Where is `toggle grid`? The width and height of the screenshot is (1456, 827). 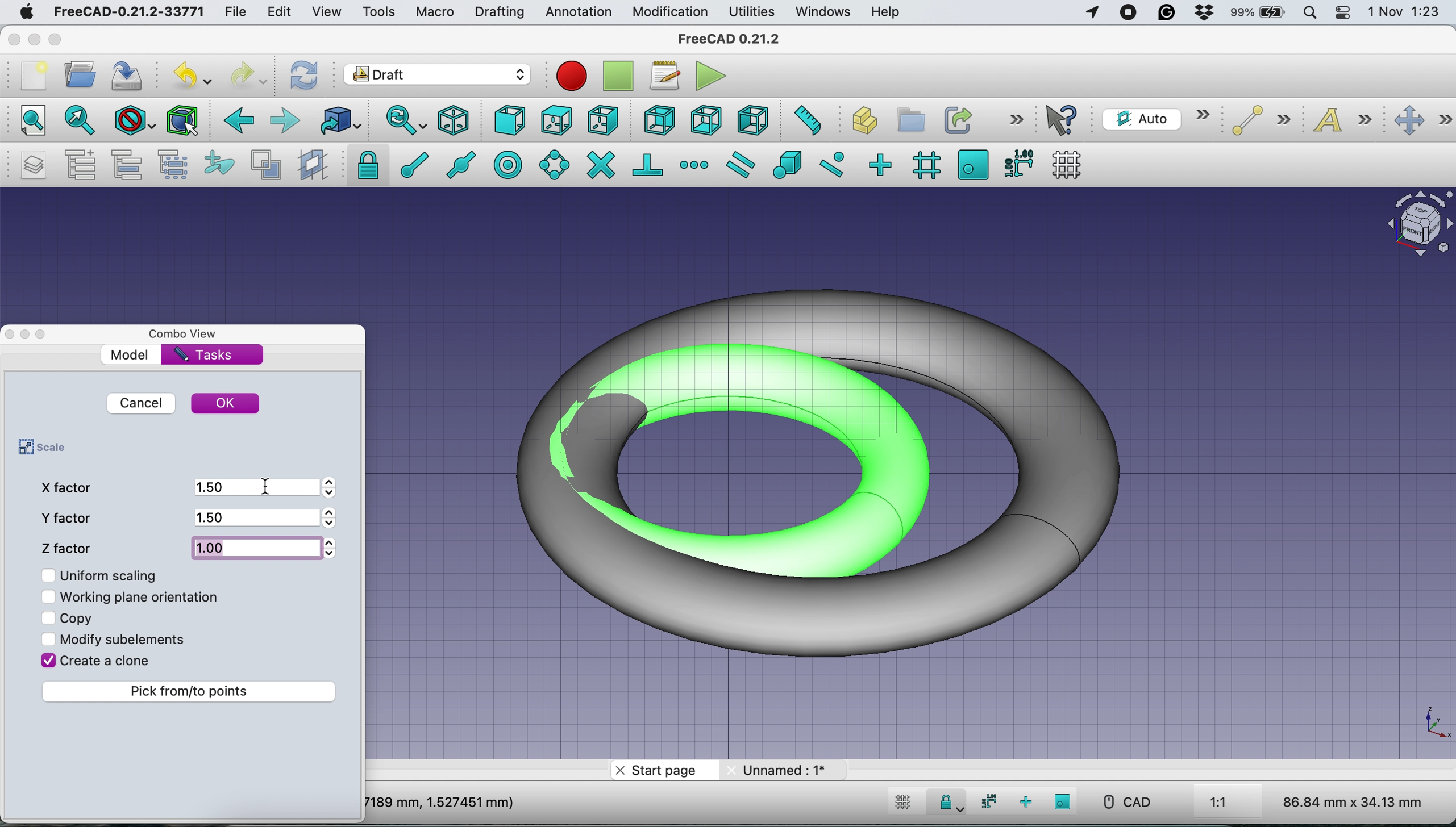
toggle grid is located at coordinates (1071, 164).